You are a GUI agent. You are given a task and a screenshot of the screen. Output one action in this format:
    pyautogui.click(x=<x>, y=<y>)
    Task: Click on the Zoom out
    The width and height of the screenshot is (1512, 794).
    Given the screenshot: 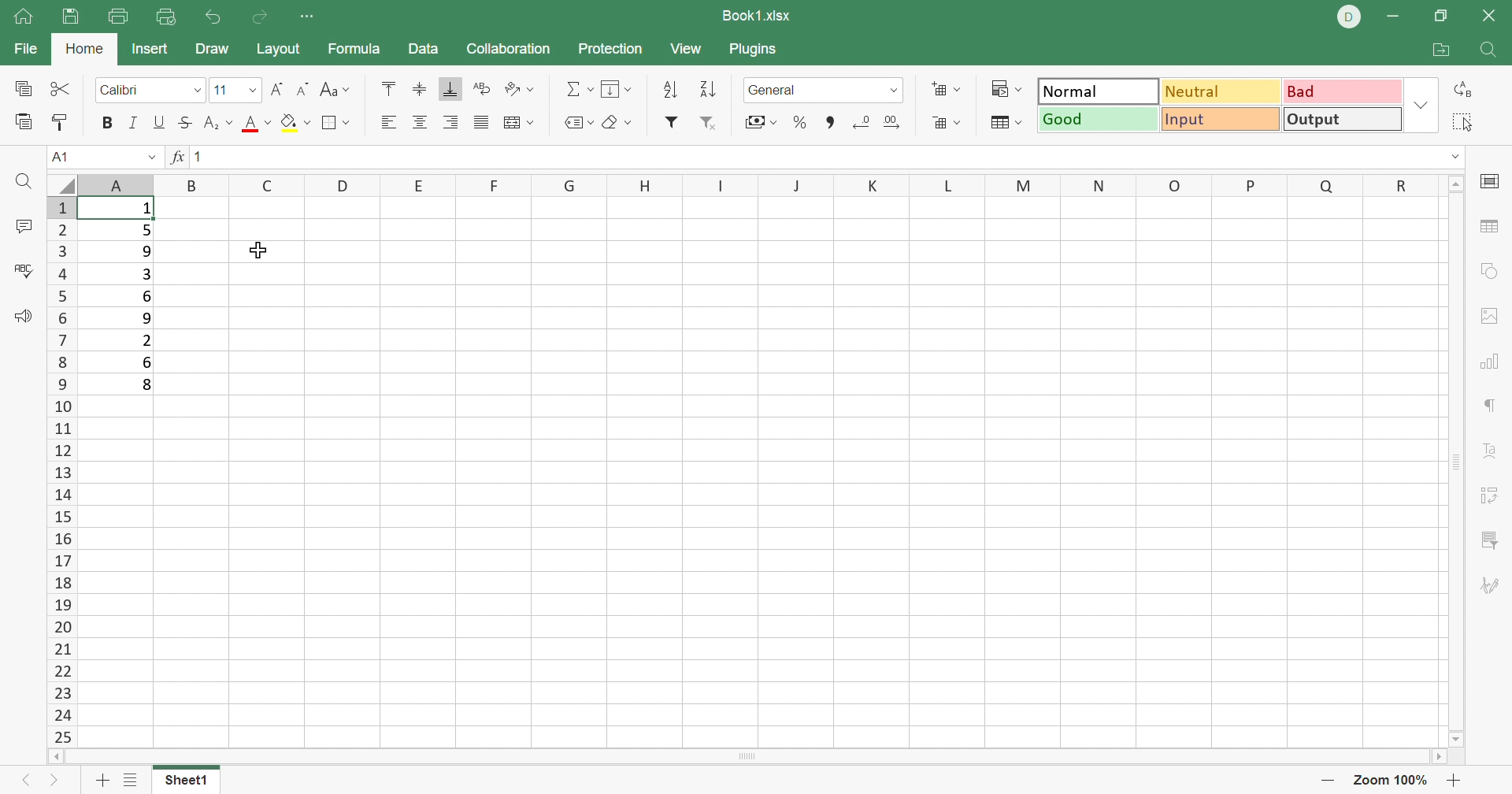 What is the action you would take?
    pyautogui.click(x=1324, y=783)
    